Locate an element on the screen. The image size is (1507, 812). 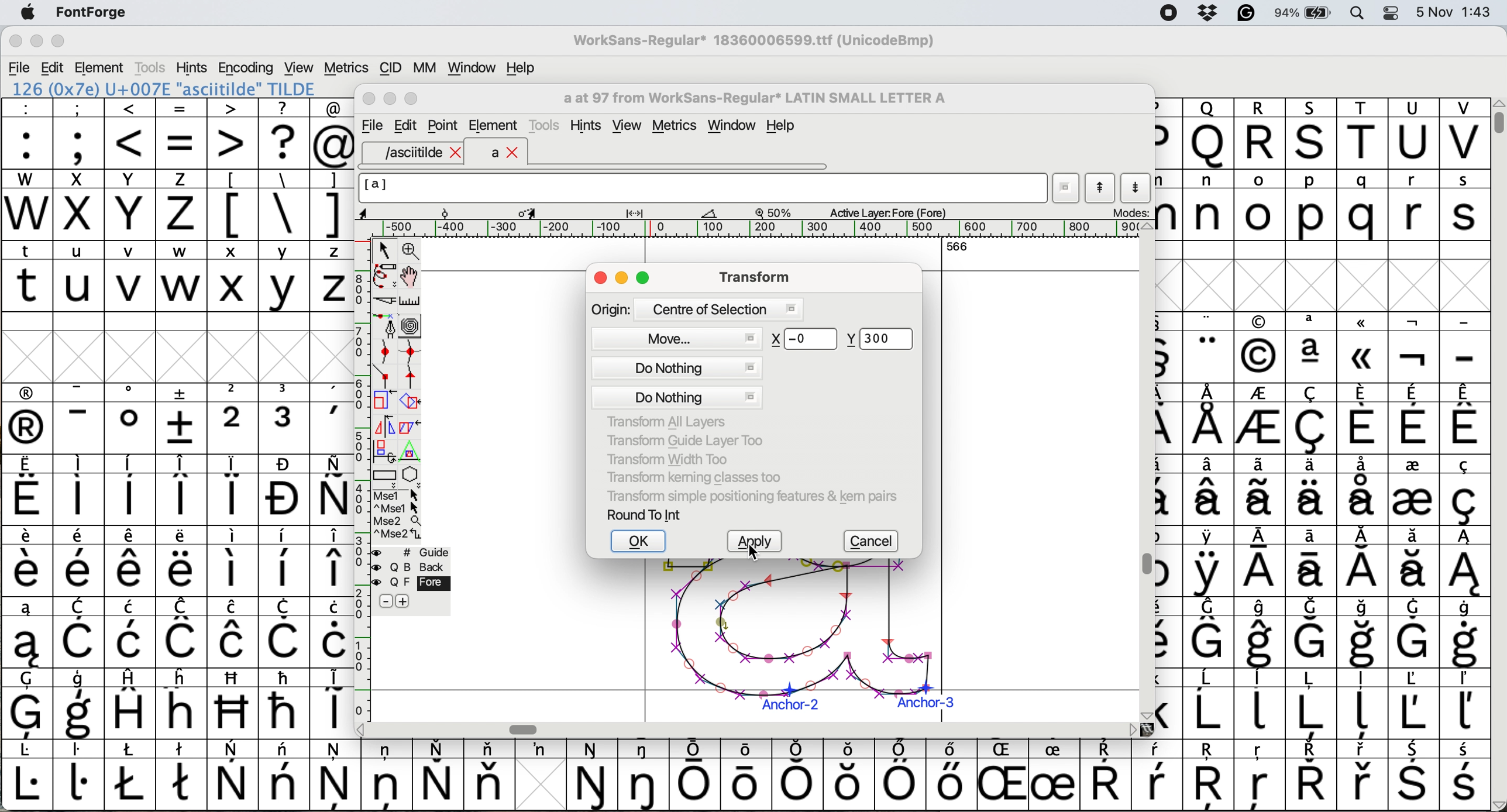
Close is located at coordinates (370, 99).